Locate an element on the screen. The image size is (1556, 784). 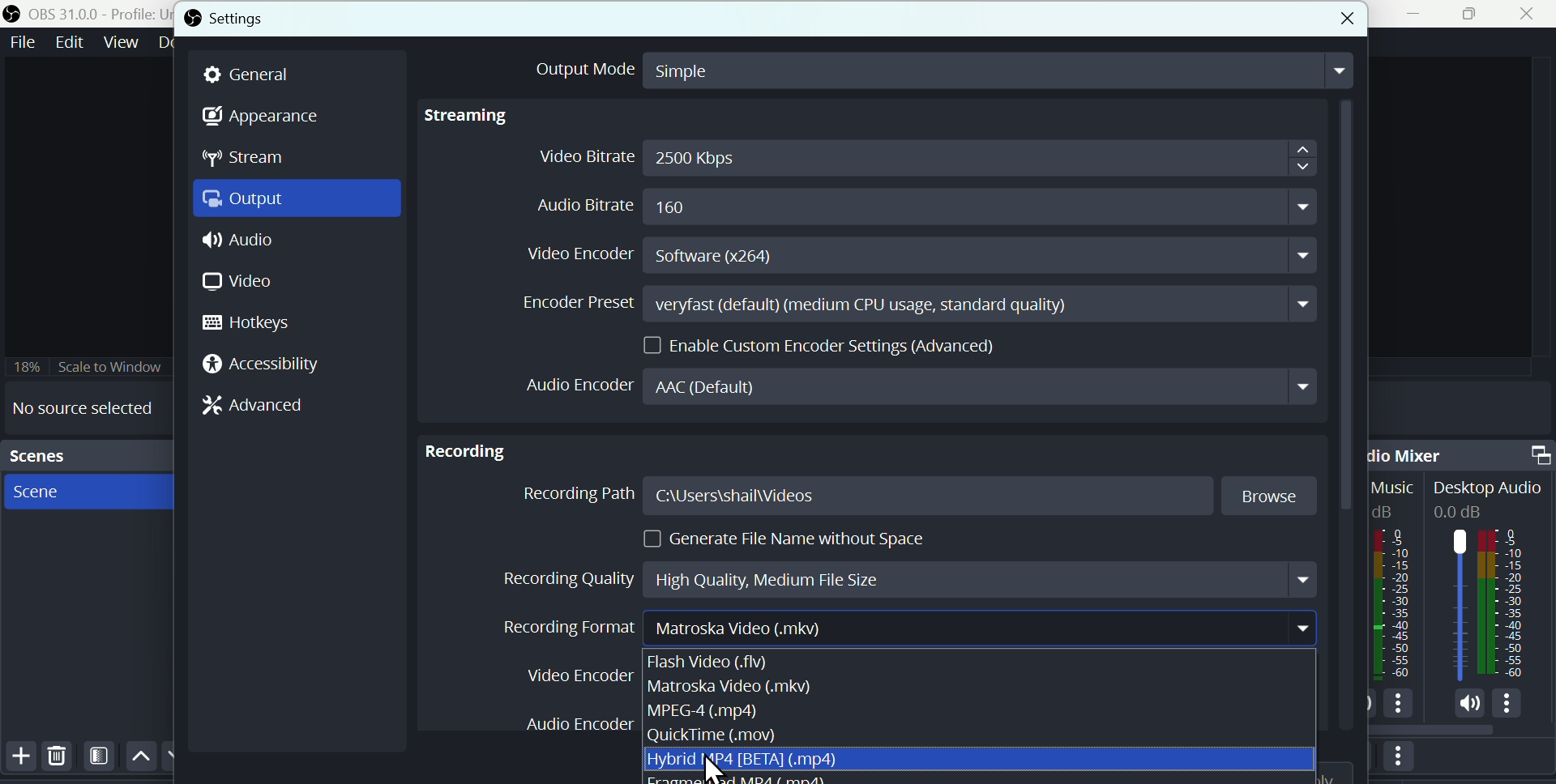
Appearance is located at coordinates (256, 117).